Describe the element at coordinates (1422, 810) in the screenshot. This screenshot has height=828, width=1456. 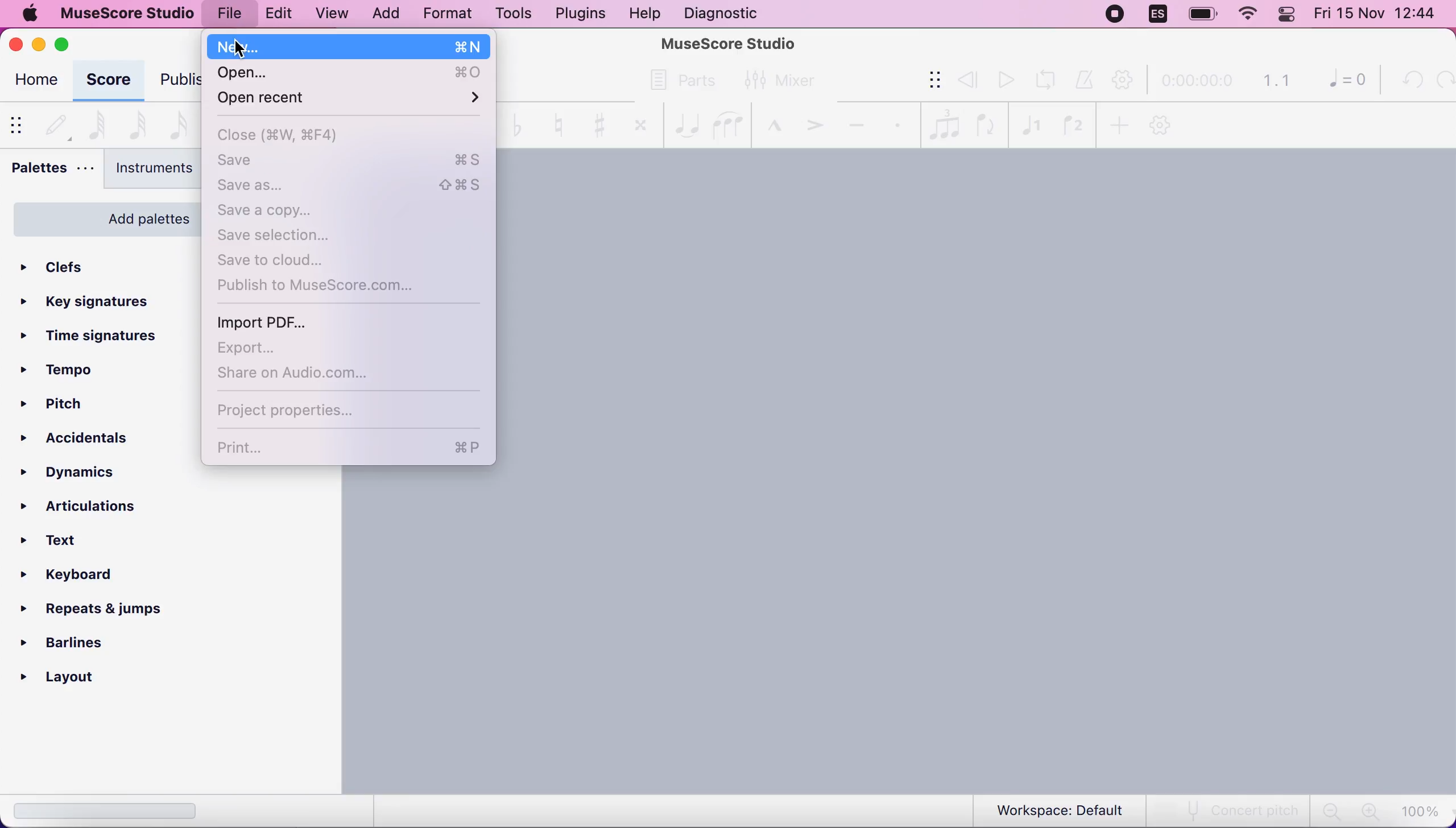
I see `100%` at that location.